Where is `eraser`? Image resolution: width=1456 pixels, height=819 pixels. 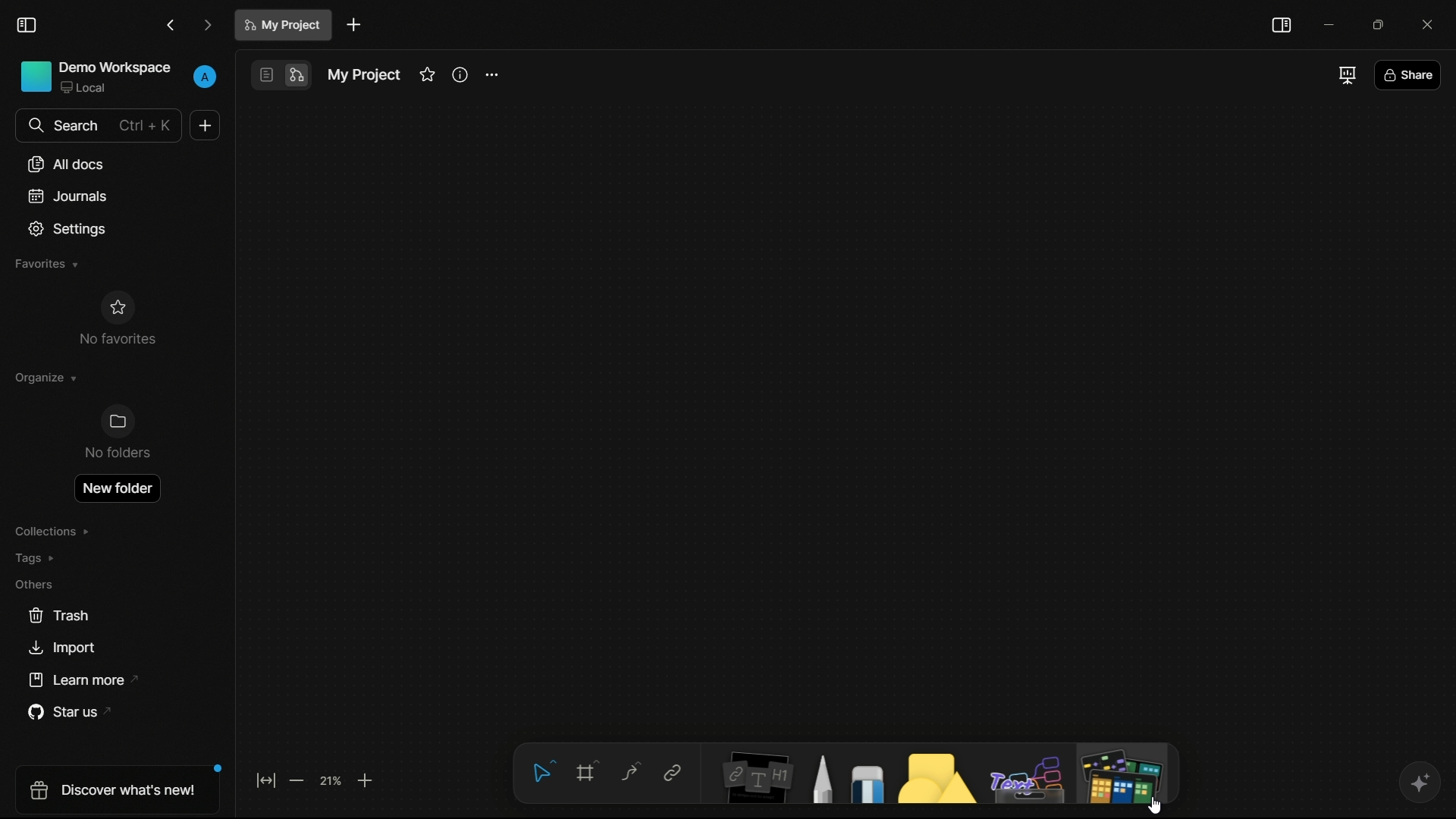 eraser is located at coordinates (871, 784).